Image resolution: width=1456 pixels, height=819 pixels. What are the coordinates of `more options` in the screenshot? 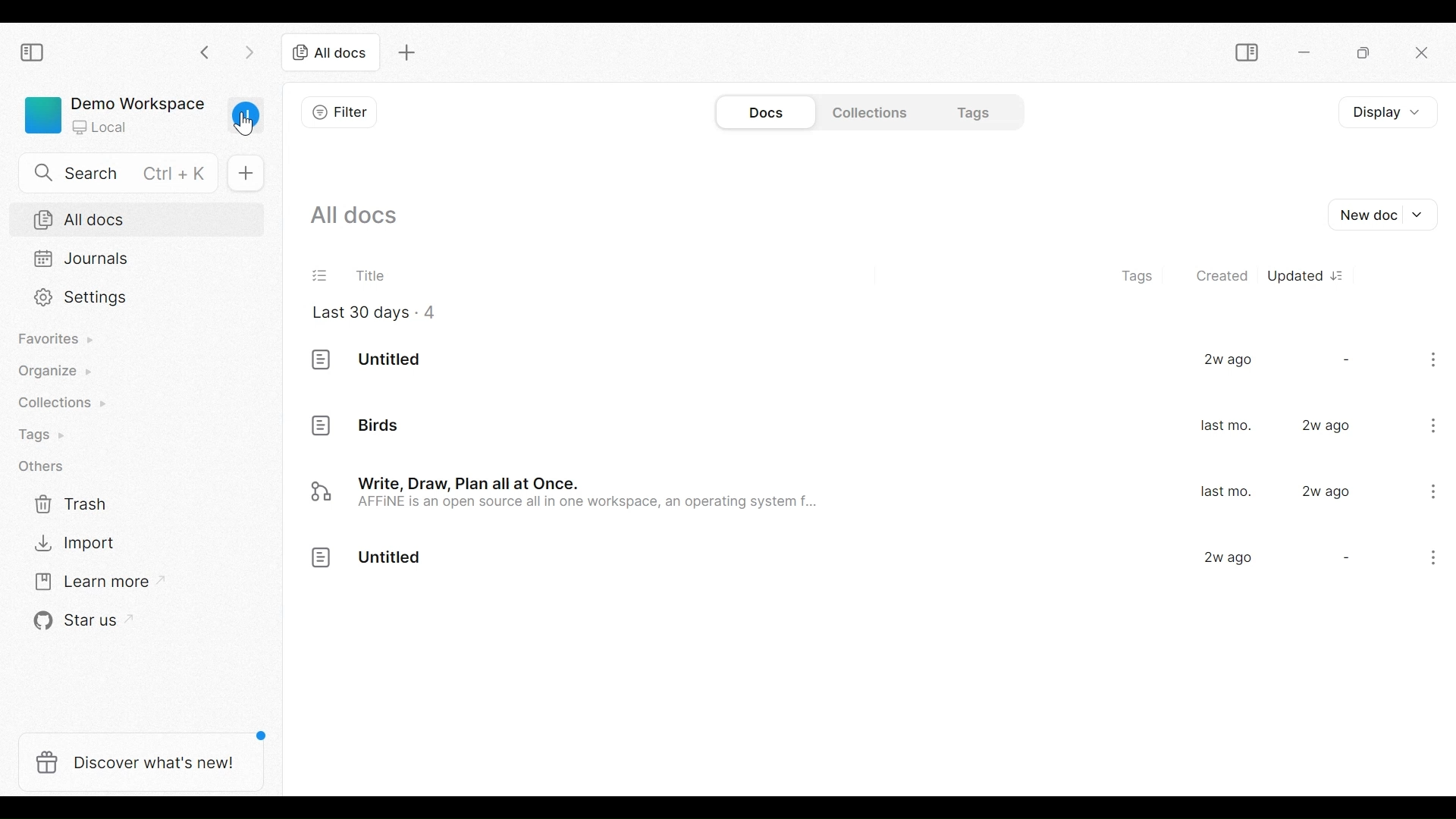 It's located at (1427, 560).